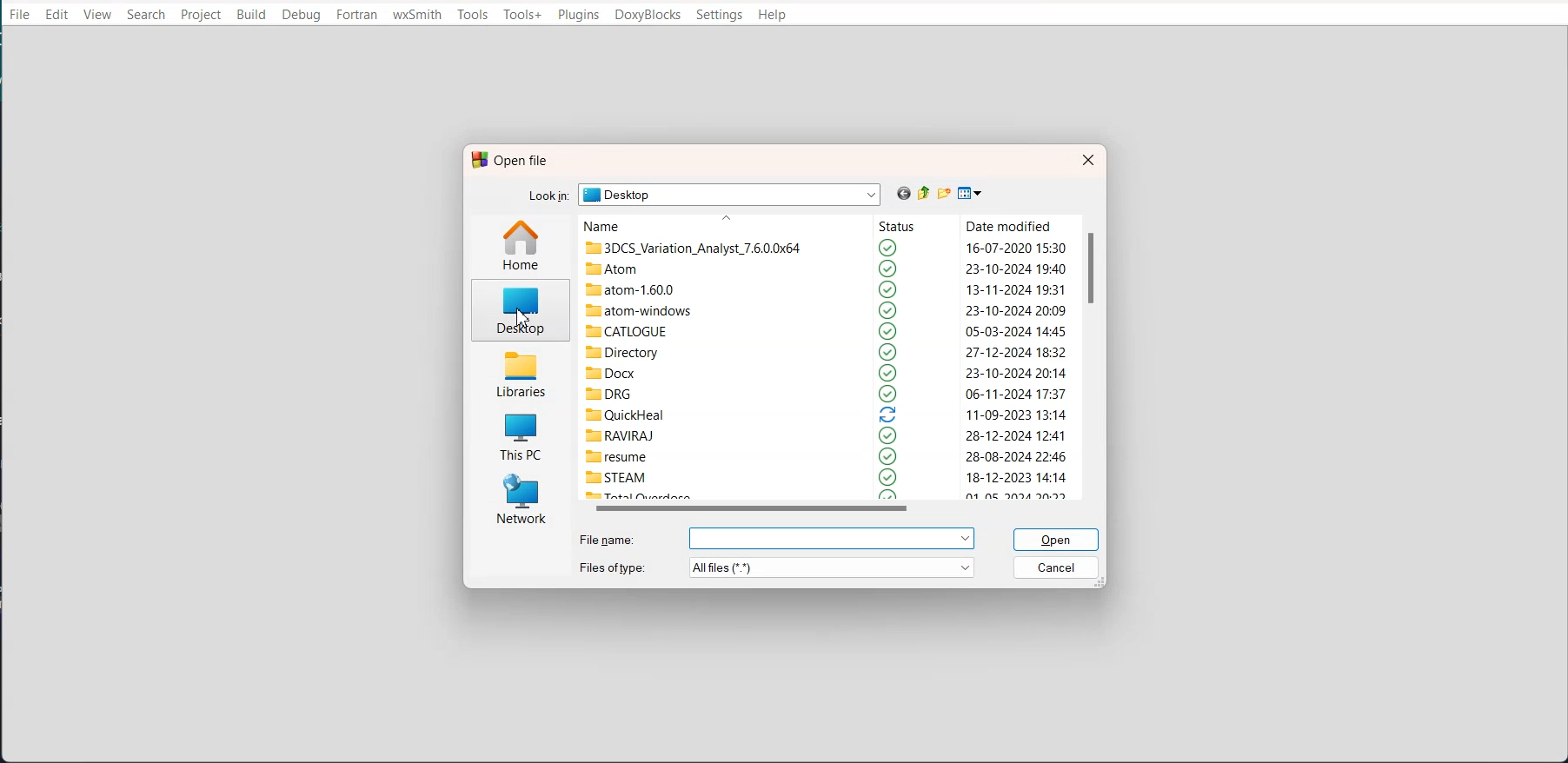  I want to click on Tools, so click(473, 15).